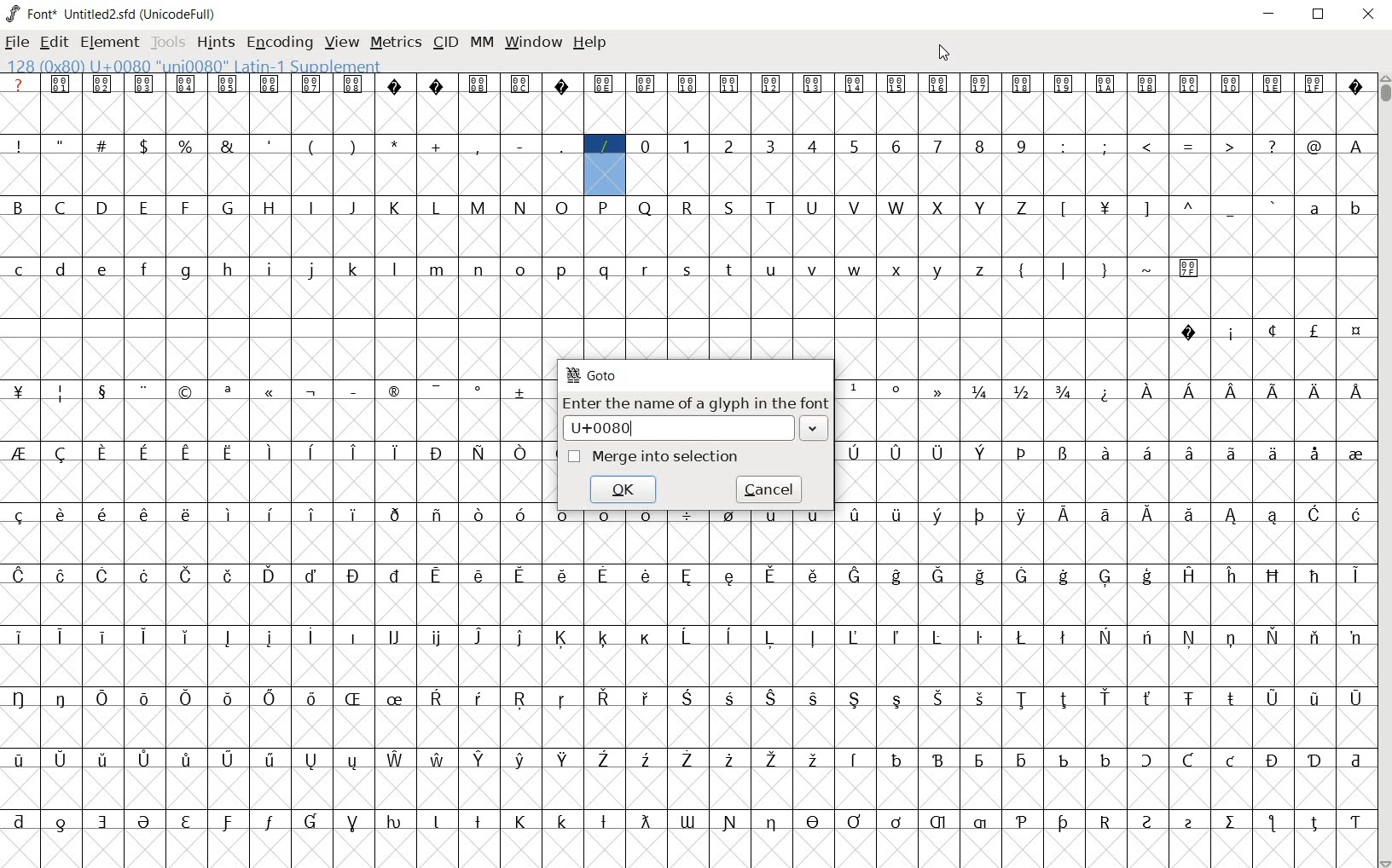 Image resolution: width=1392 pixels, height=868 pixels. Describe the element at coordinates (979, 638) in the screenshot. I see `glyph` at that location.